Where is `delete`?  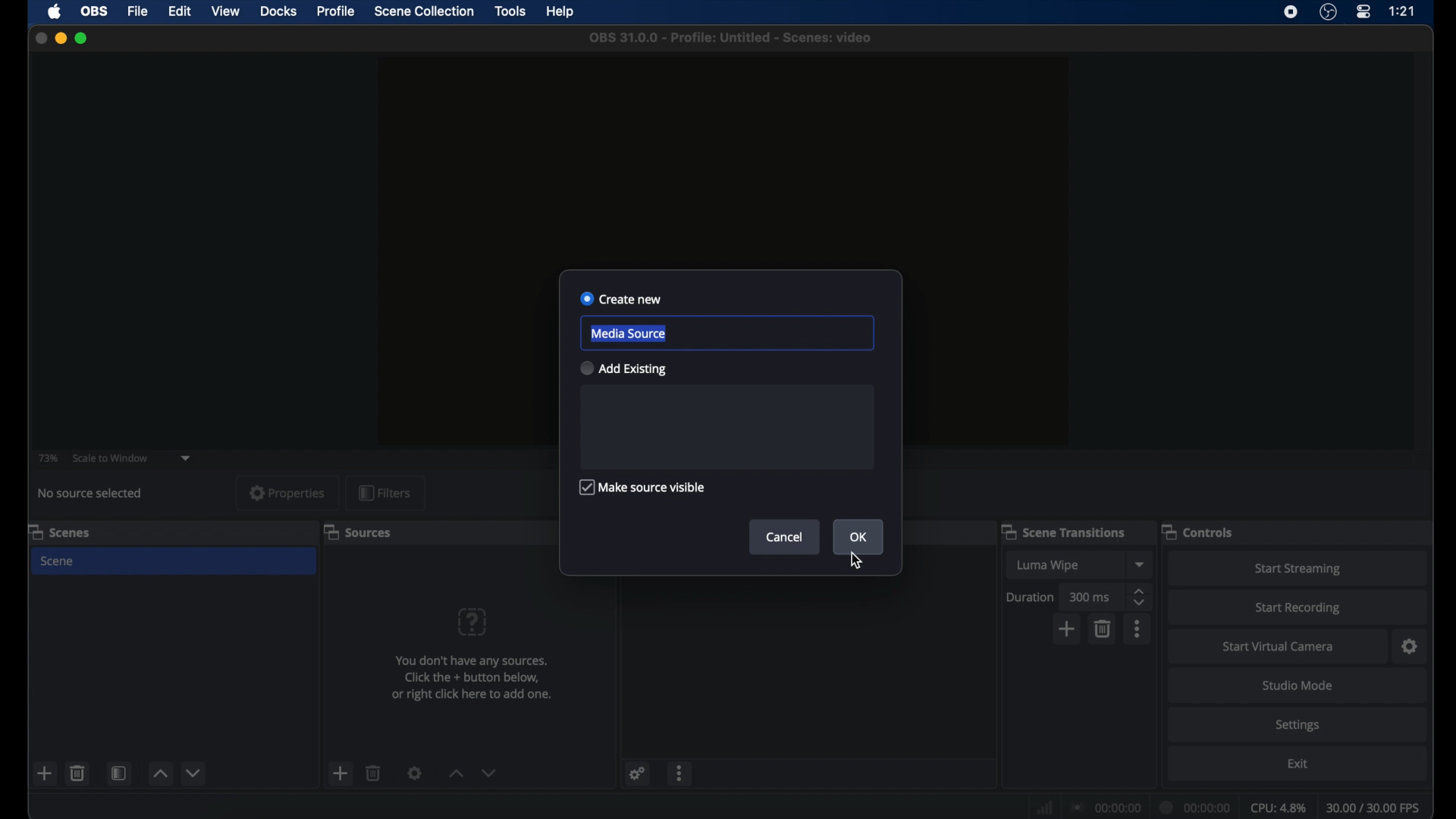
delete is located at coordinates (373, 772).